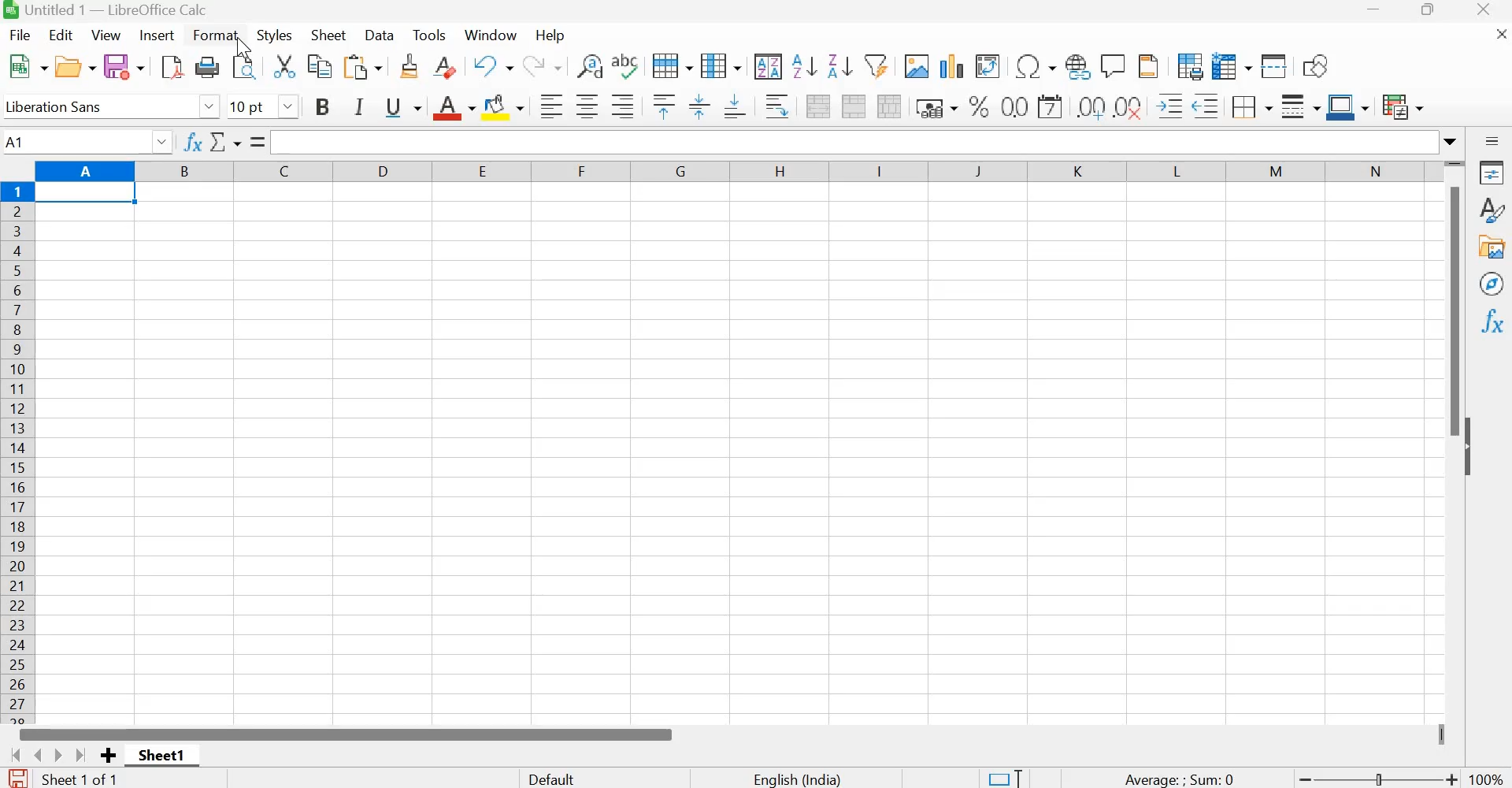 The width and height of the screenshot is (1512, 788). Describe the element at coordinates (854, 141) in the screenshot. I see `Input line` at that location.